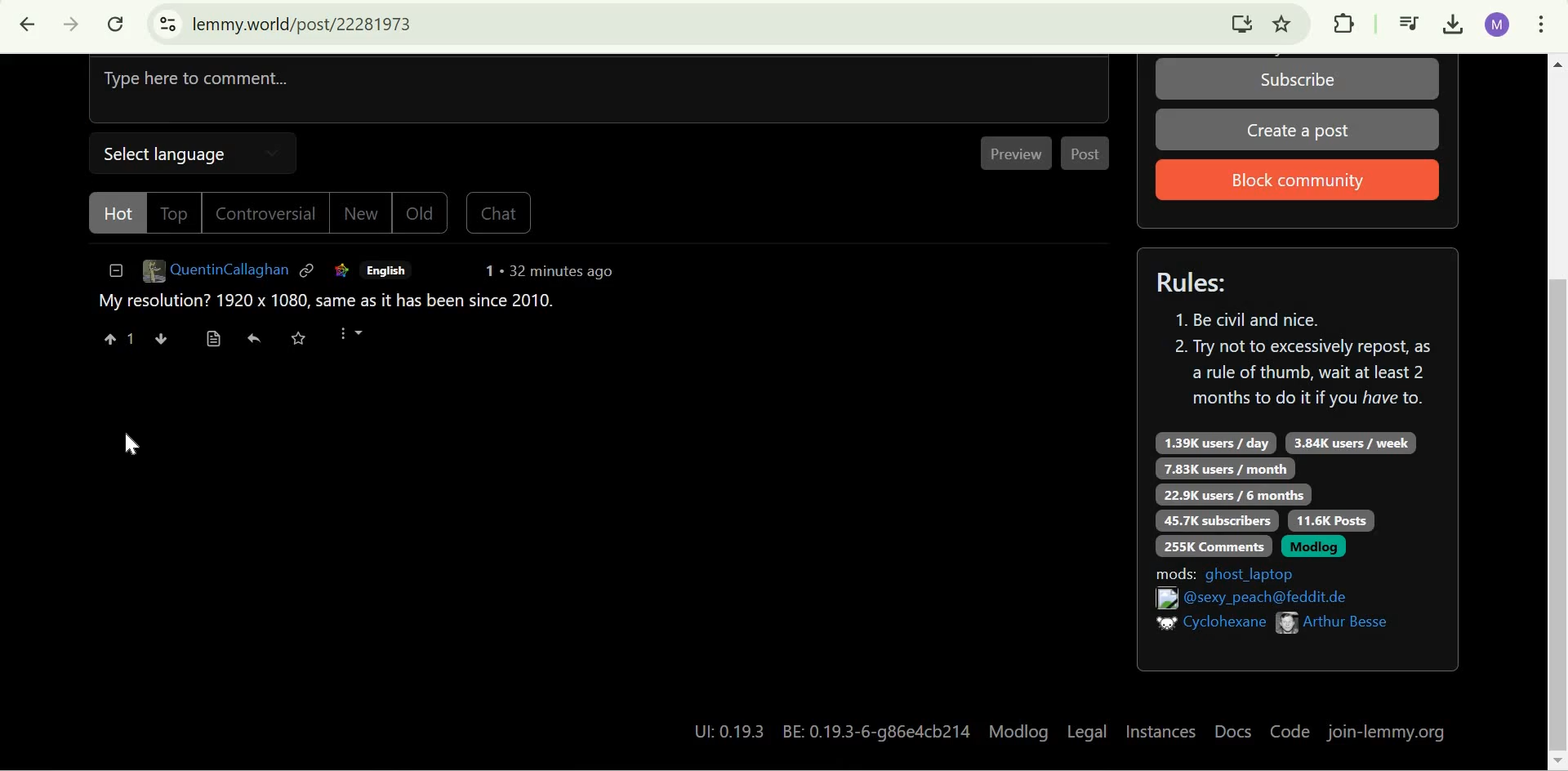  I want to click on @sexy_peach@feddit.de, so click(1275, 598).